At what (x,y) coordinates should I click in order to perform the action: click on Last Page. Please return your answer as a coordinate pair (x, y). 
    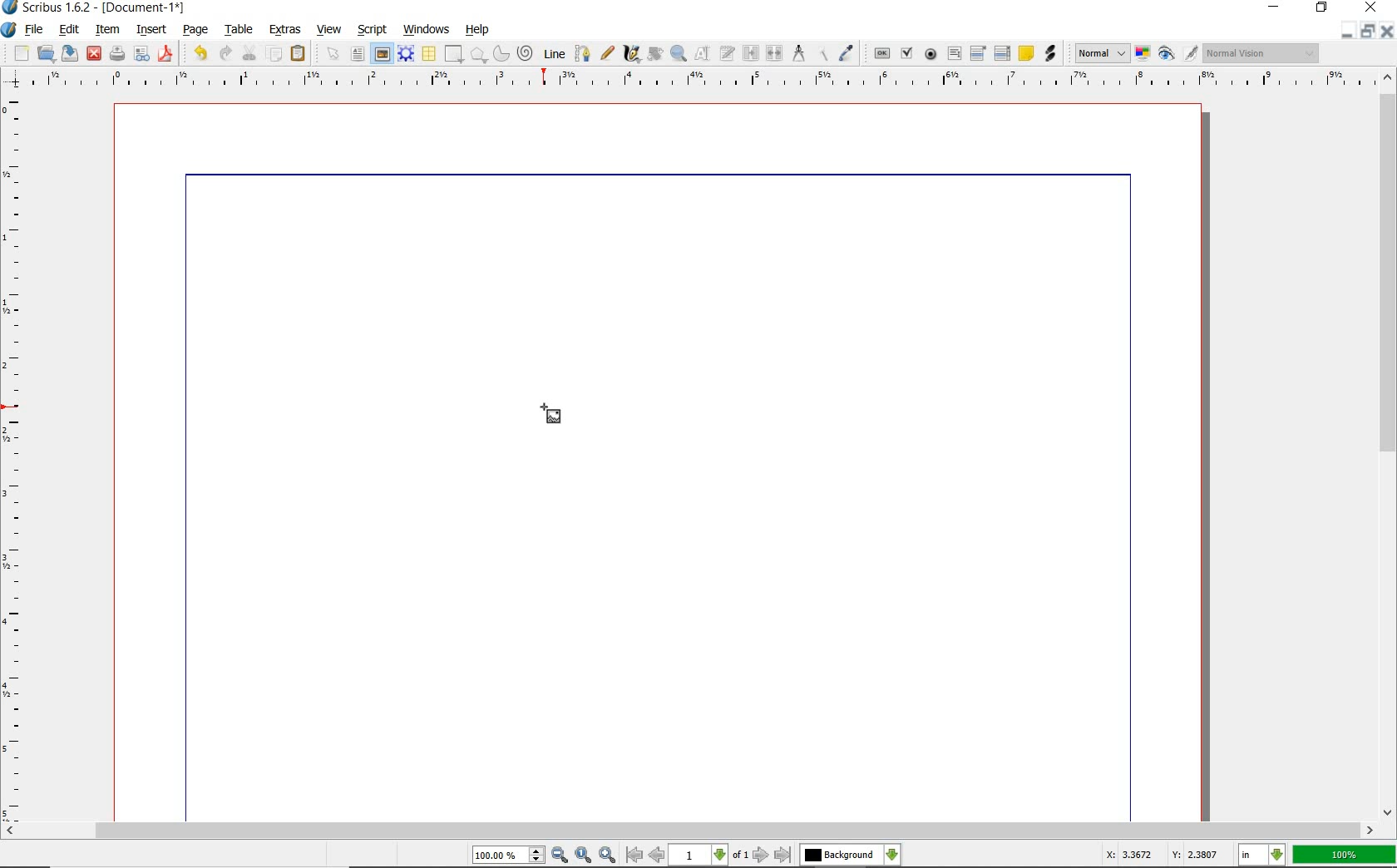
    Looking at the image, I should click on (783, 856).